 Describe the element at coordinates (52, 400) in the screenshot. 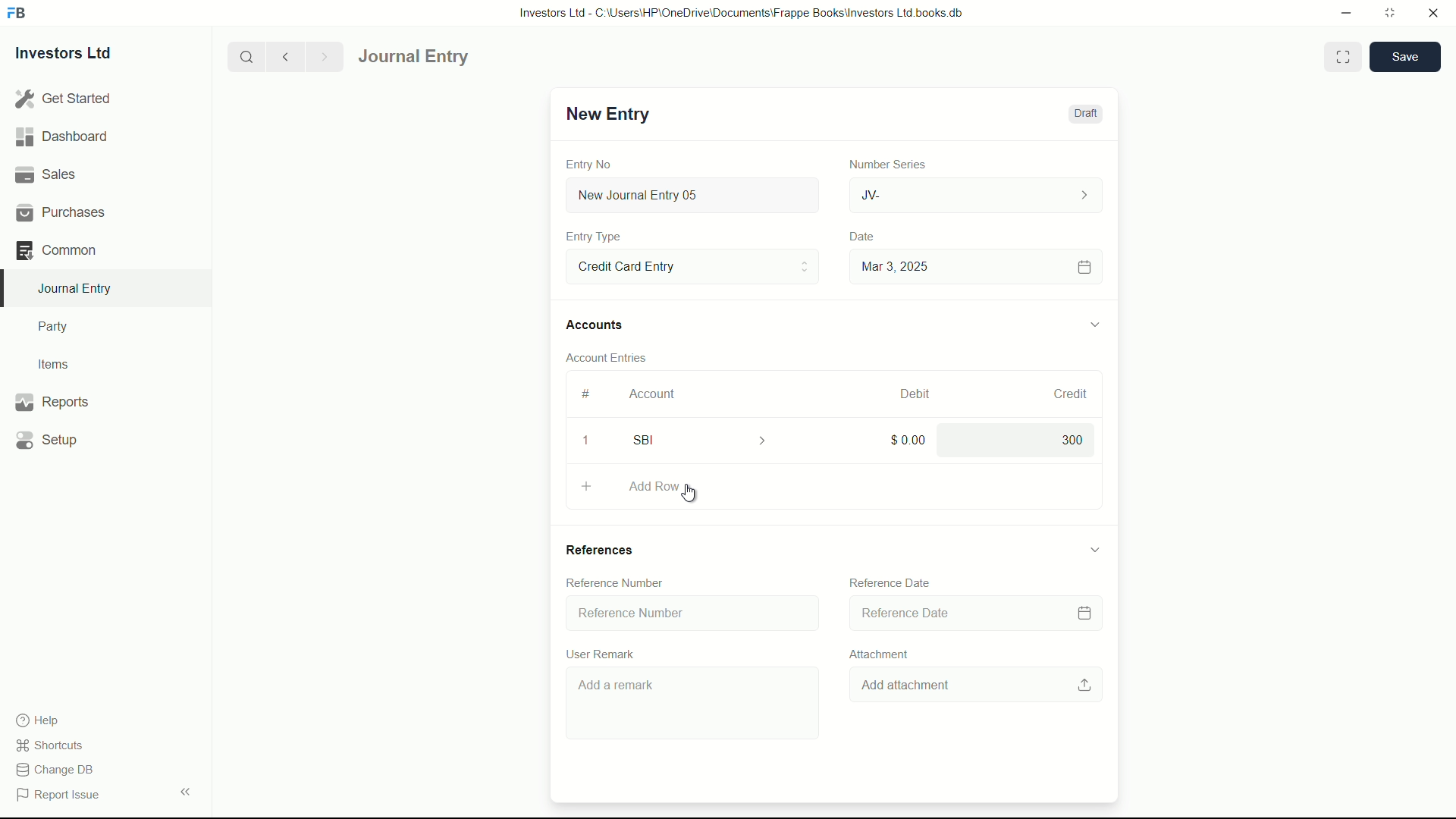

I see `Reports .` at that location.